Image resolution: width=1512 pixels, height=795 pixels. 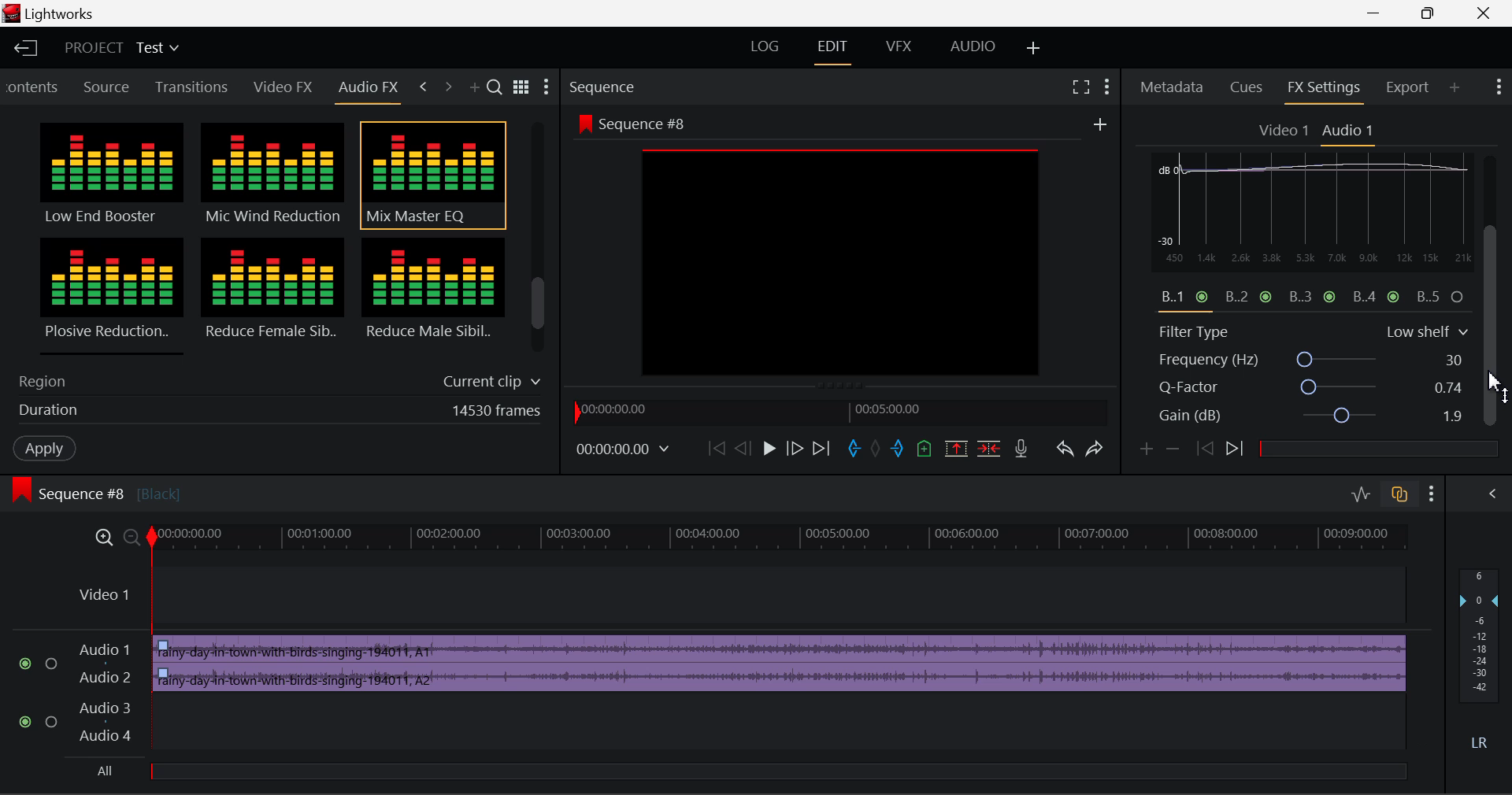 What do you see at coordinates (132, 539) in the screenshot?
I see `Timeline Zoom Out` at bounding box center [132, 539].